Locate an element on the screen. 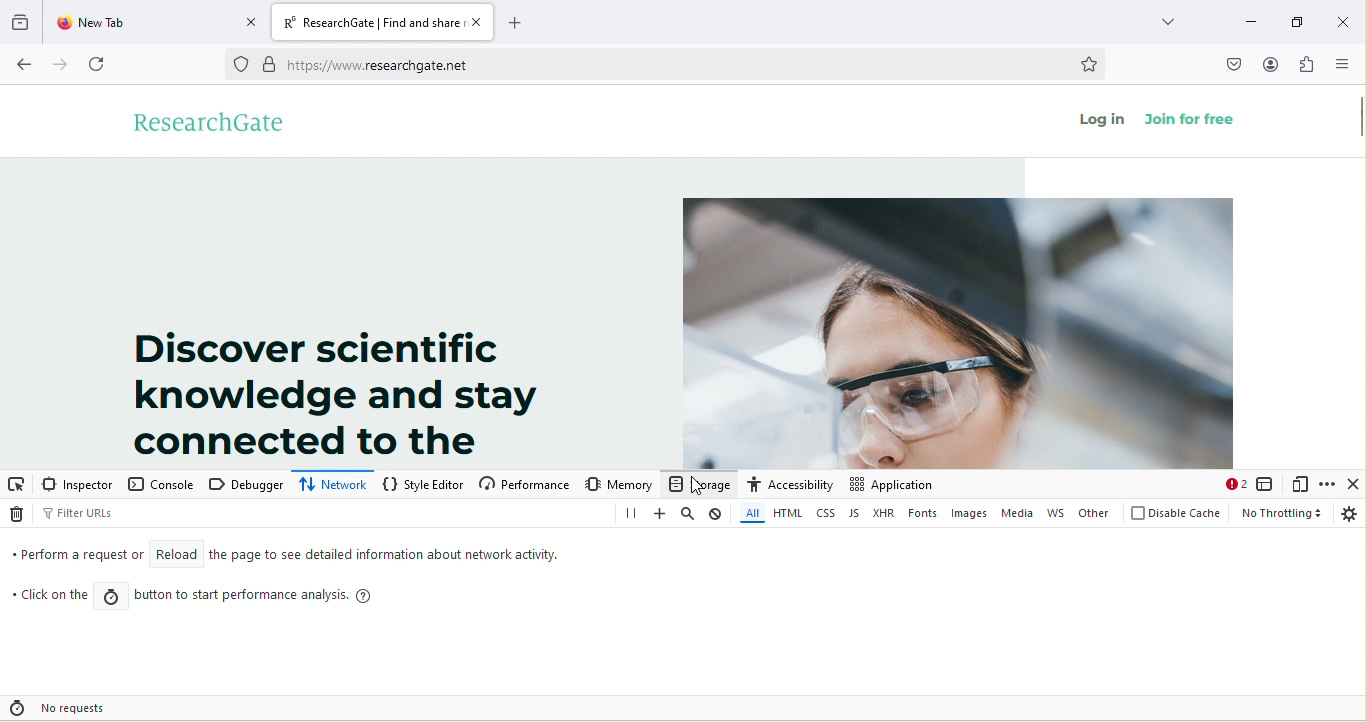 The width and height of the screenshot is (1366, 722). New Tab is located at coordinates (146, 22).